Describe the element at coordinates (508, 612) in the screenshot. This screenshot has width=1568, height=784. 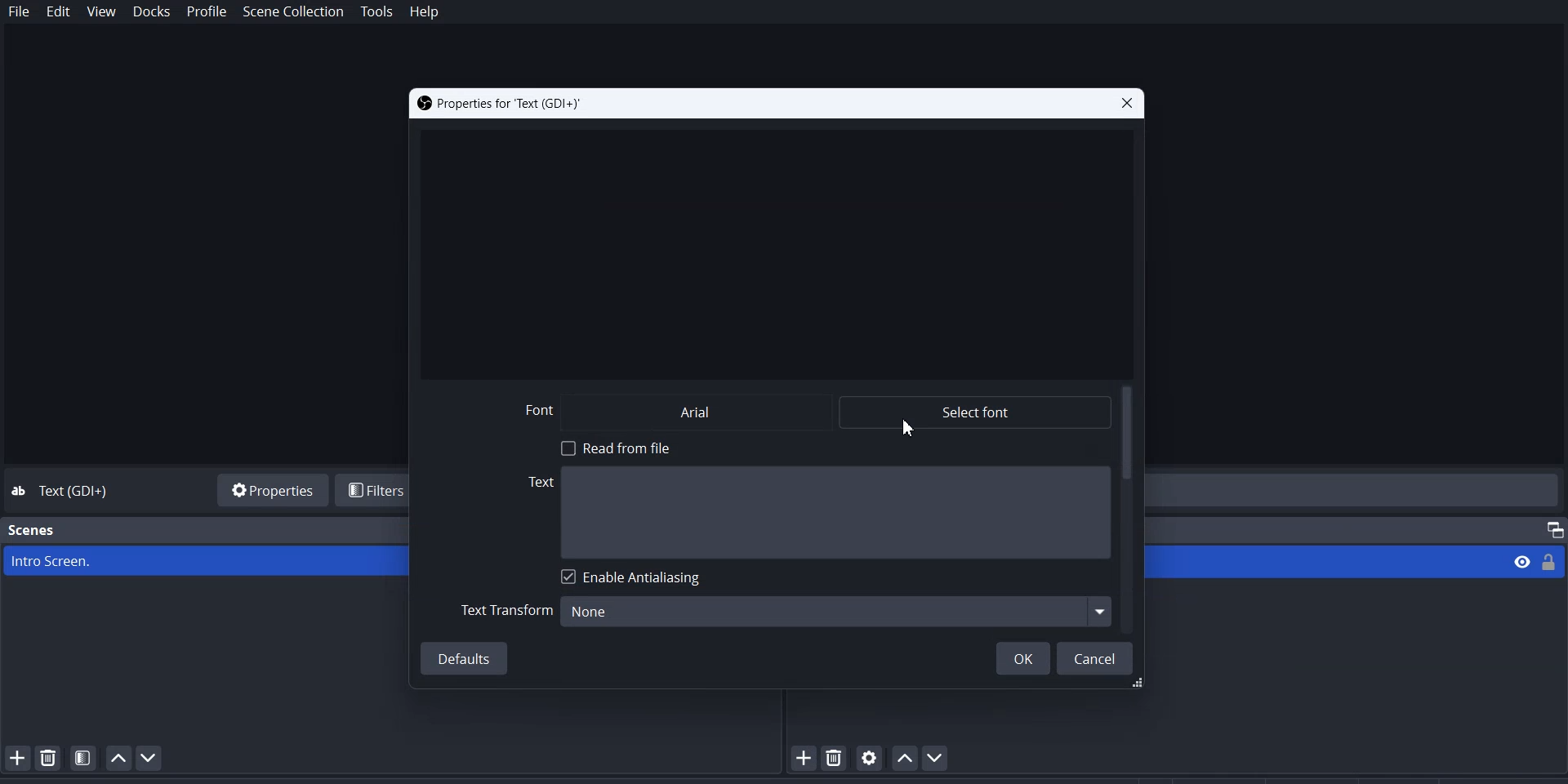
I see `Text Transform` at that location.